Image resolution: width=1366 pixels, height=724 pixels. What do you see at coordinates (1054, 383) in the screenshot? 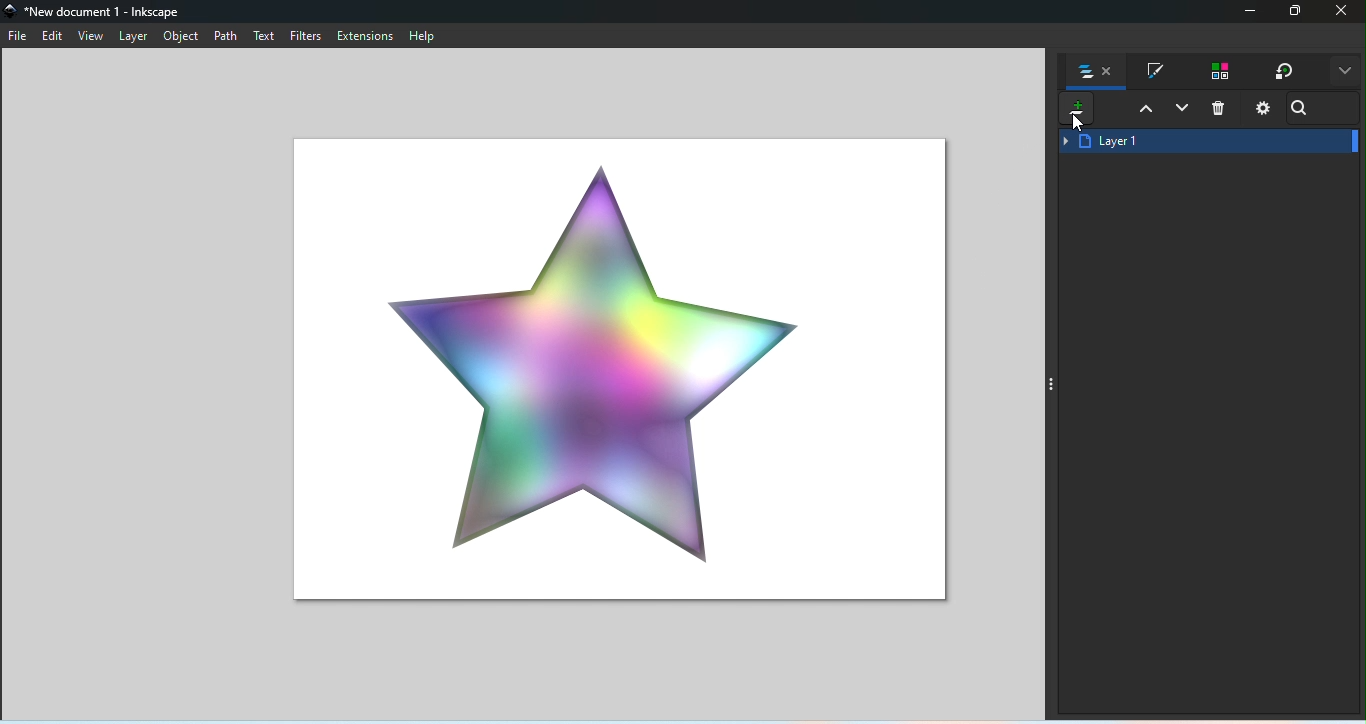
I see `Toggle command panel` at bounding box center [1054, 383].